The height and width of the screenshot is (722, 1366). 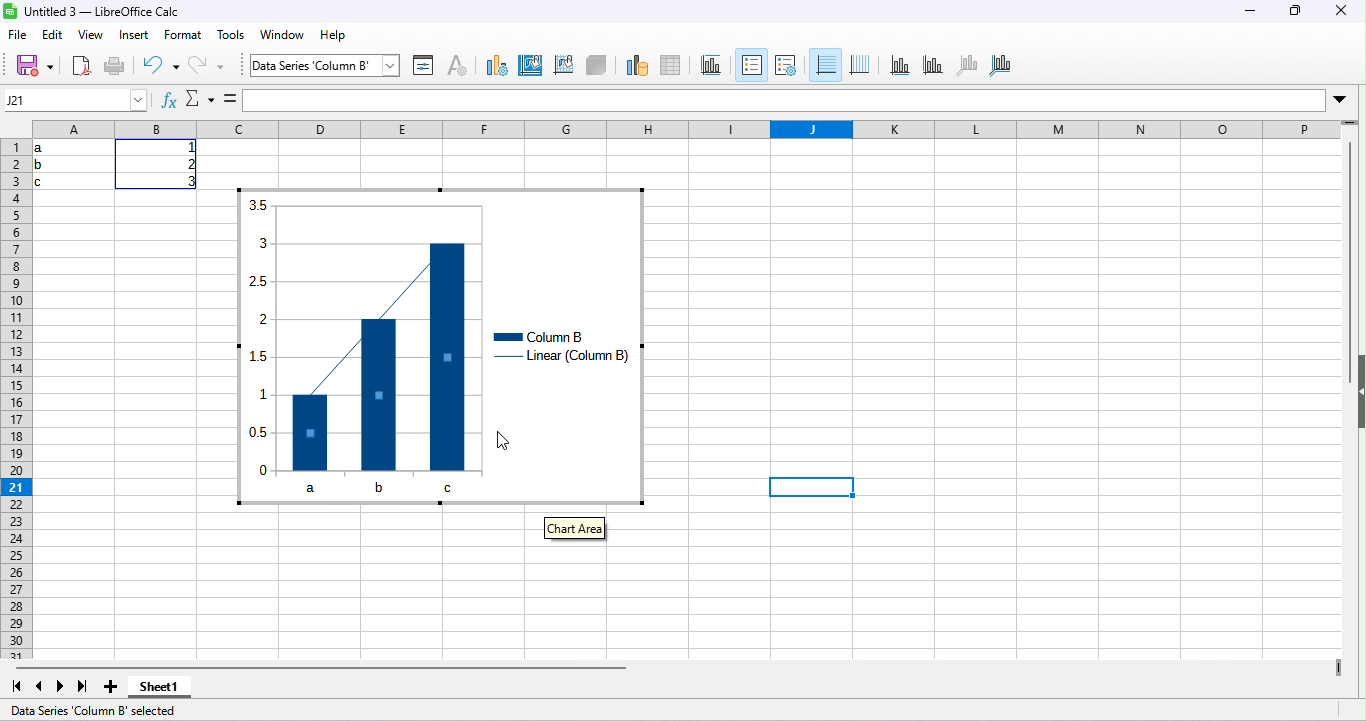 I want to click on type, so click(x=497, y=69).